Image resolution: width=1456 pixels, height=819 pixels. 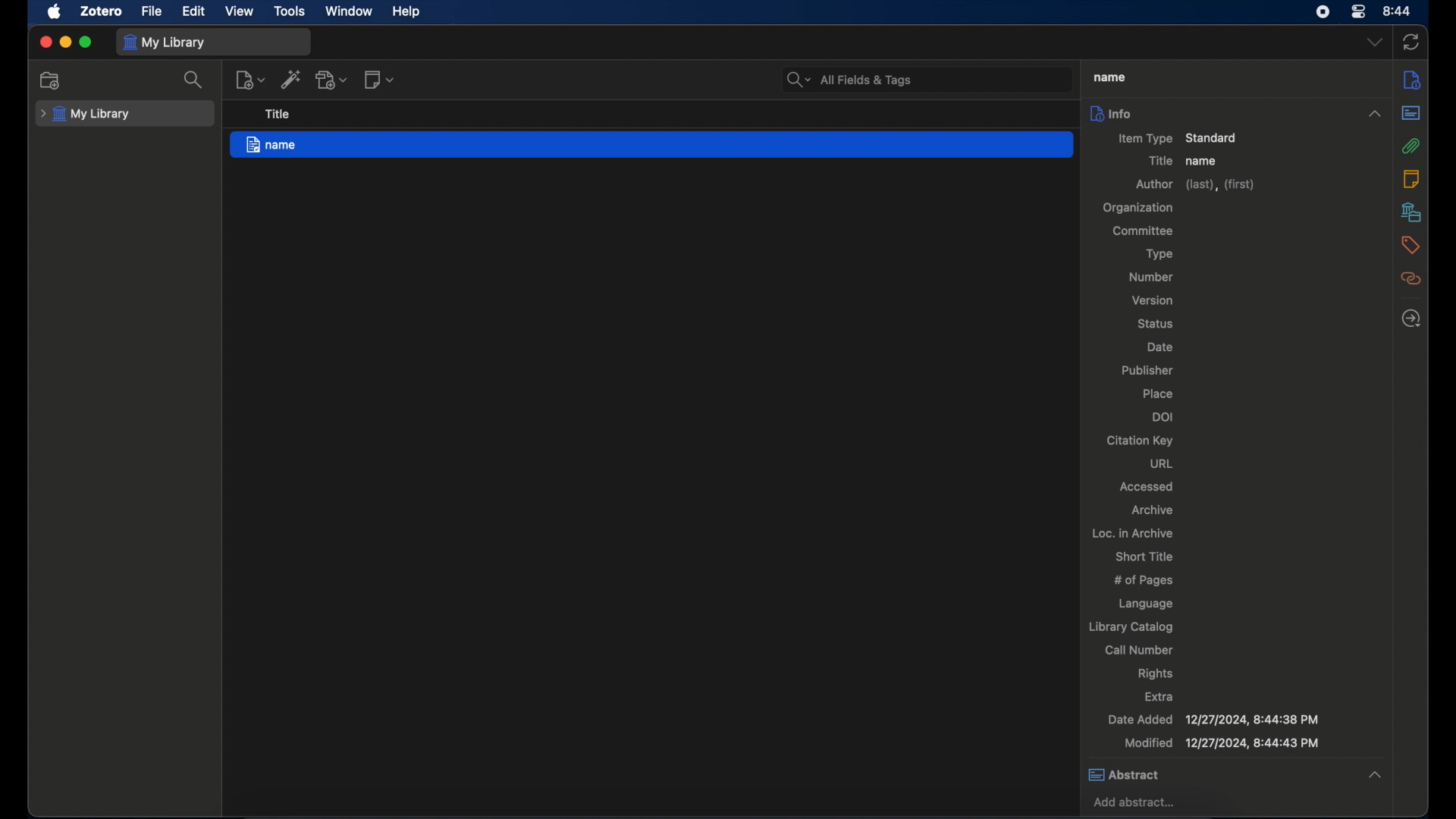 What do you see at coordinates (1213, 113) in the screenshot?
I see `info` at bounding box center [1213, 113].